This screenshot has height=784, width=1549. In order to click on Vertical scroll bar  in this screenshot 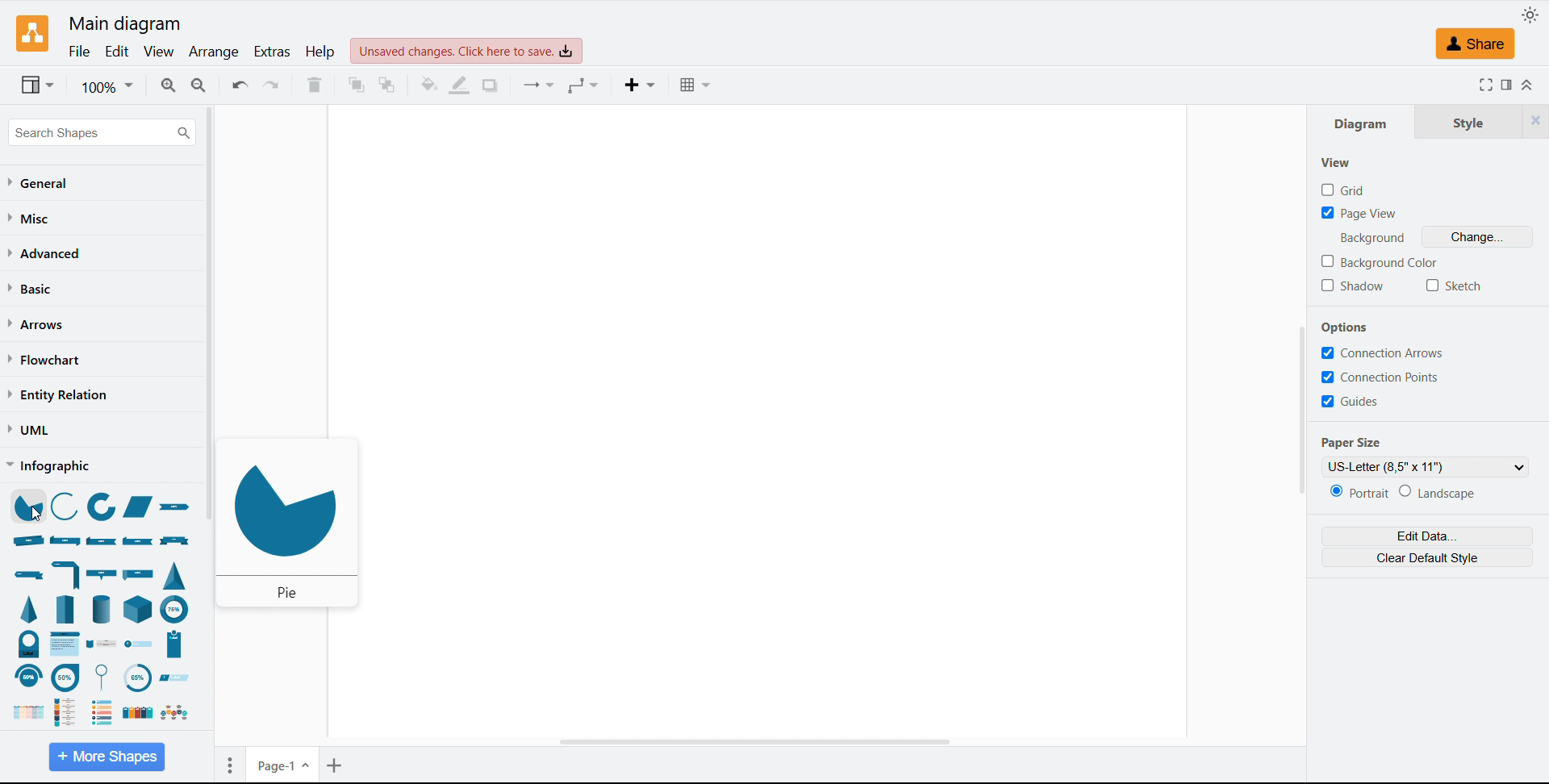, I will do `click(1302, 397)`.